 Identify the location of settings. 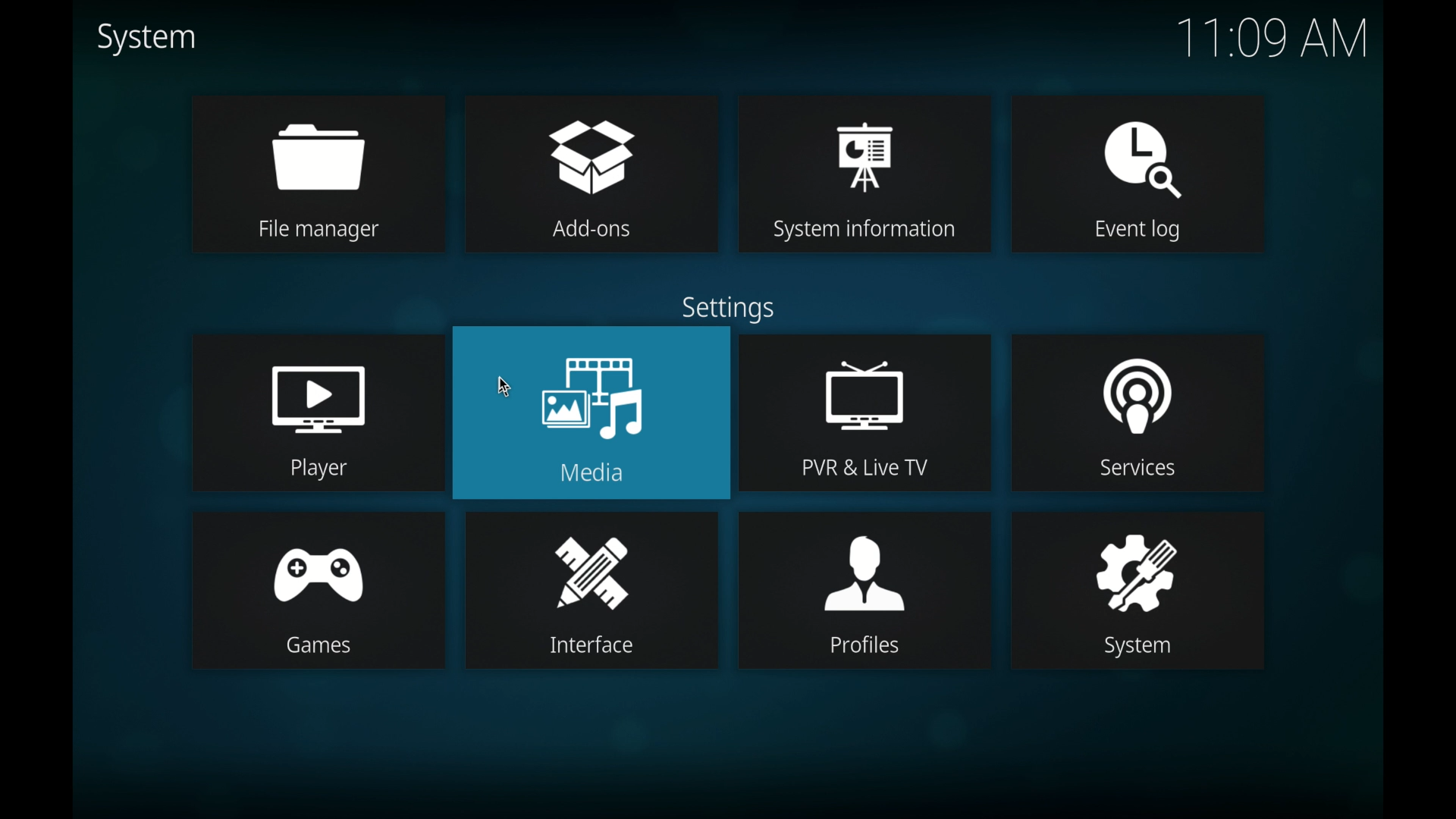
(728, 308).